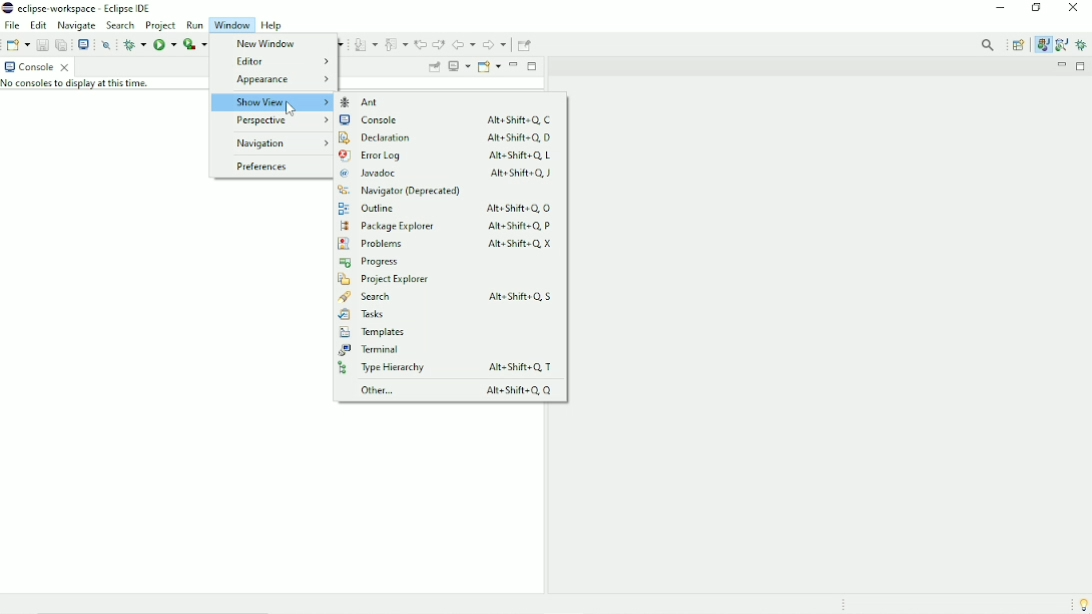 This screenshot has width=1092, height=614. What do you see at coordinates (400, 191) in the screenshot?
I see `Navigator (deprecated)` at bounding box center [400, 191].